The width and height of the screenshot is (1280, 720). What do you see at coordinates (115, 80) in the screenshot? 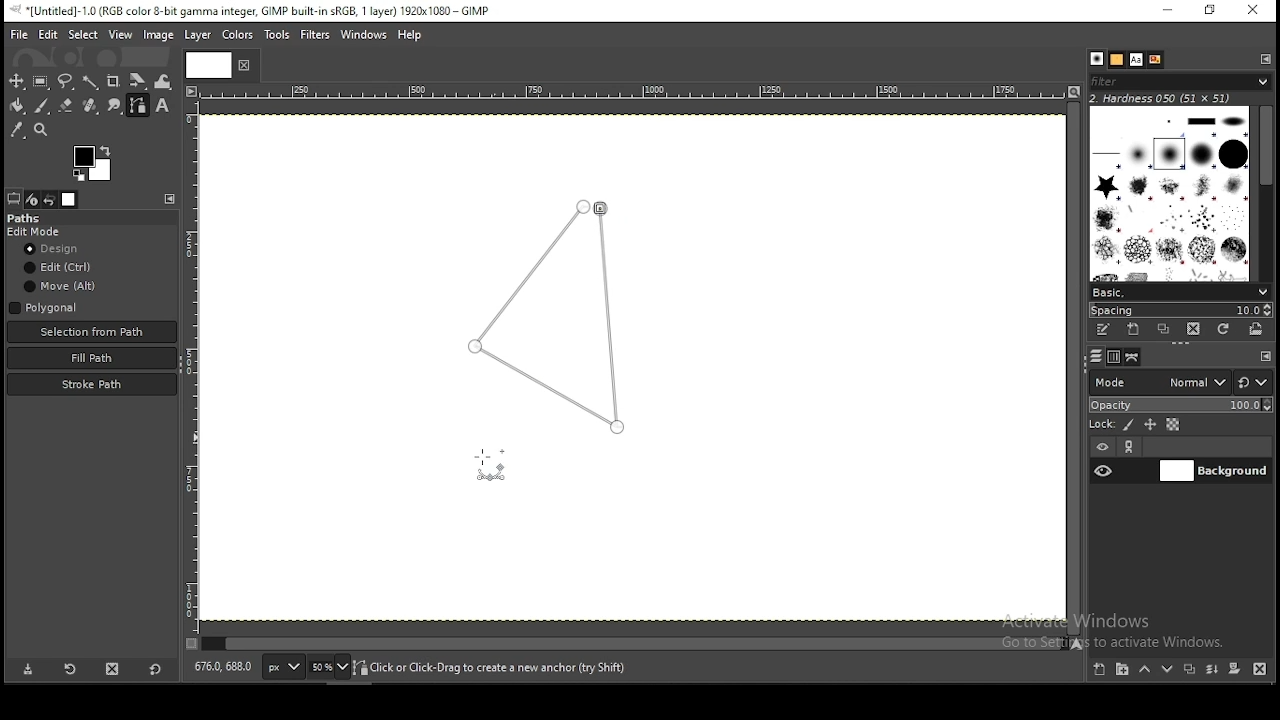
I see `crop tool` at bounding box center [115, 80].